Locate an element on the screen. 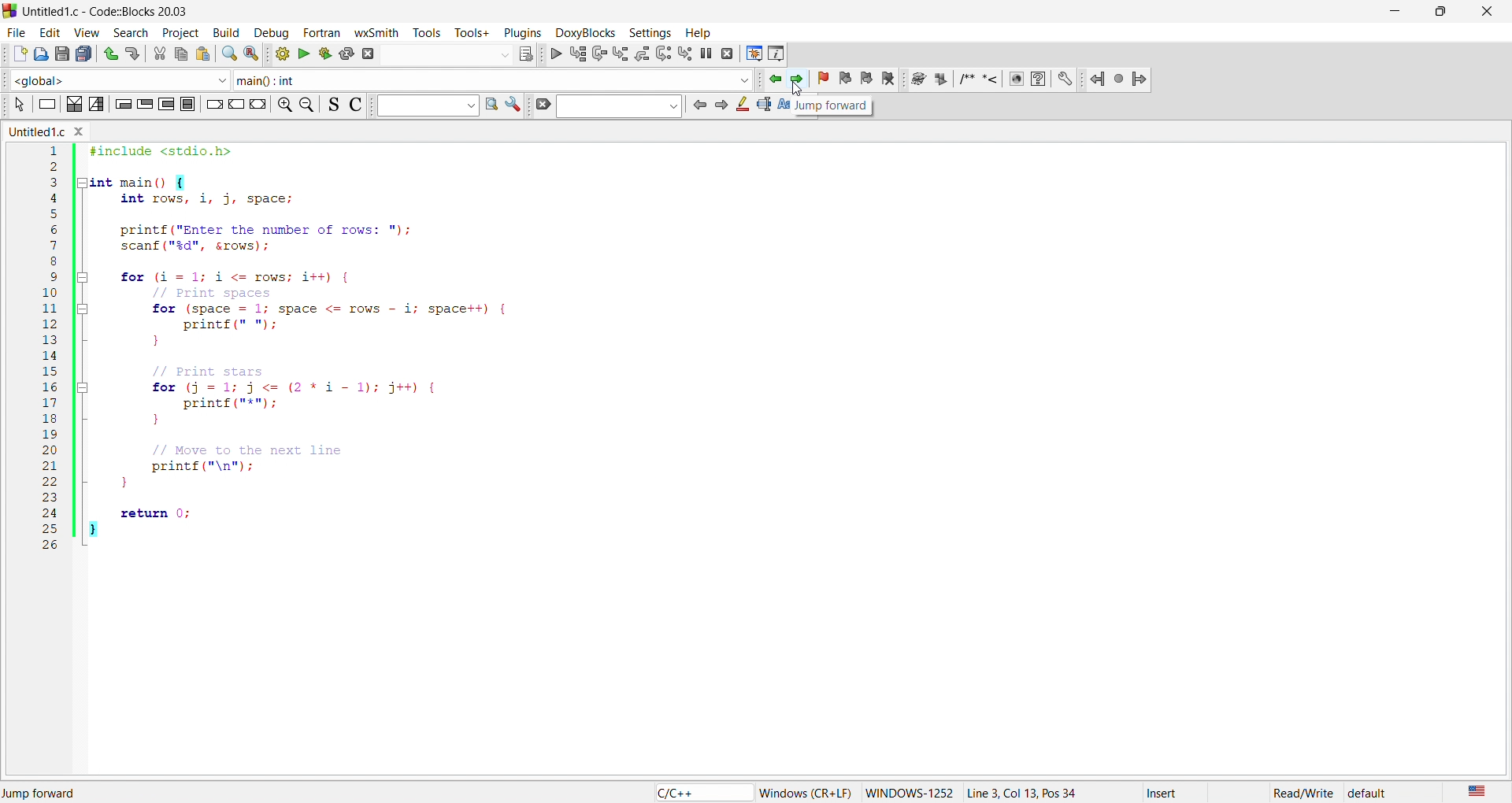  view is located at coordinates (83, 31).